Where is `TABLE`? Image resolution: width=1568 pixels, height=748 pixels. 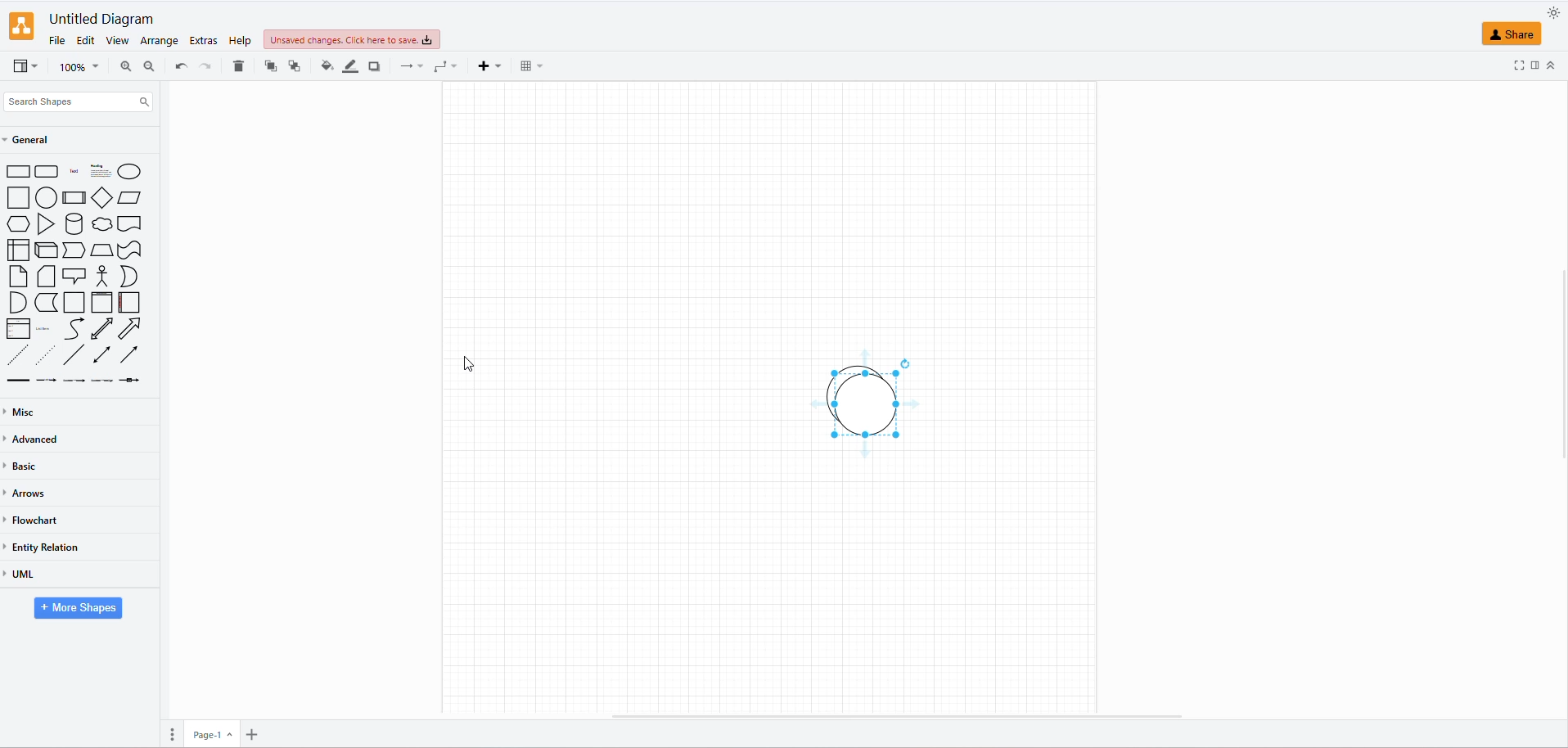
TABLE is located at coordinates (526, 70).